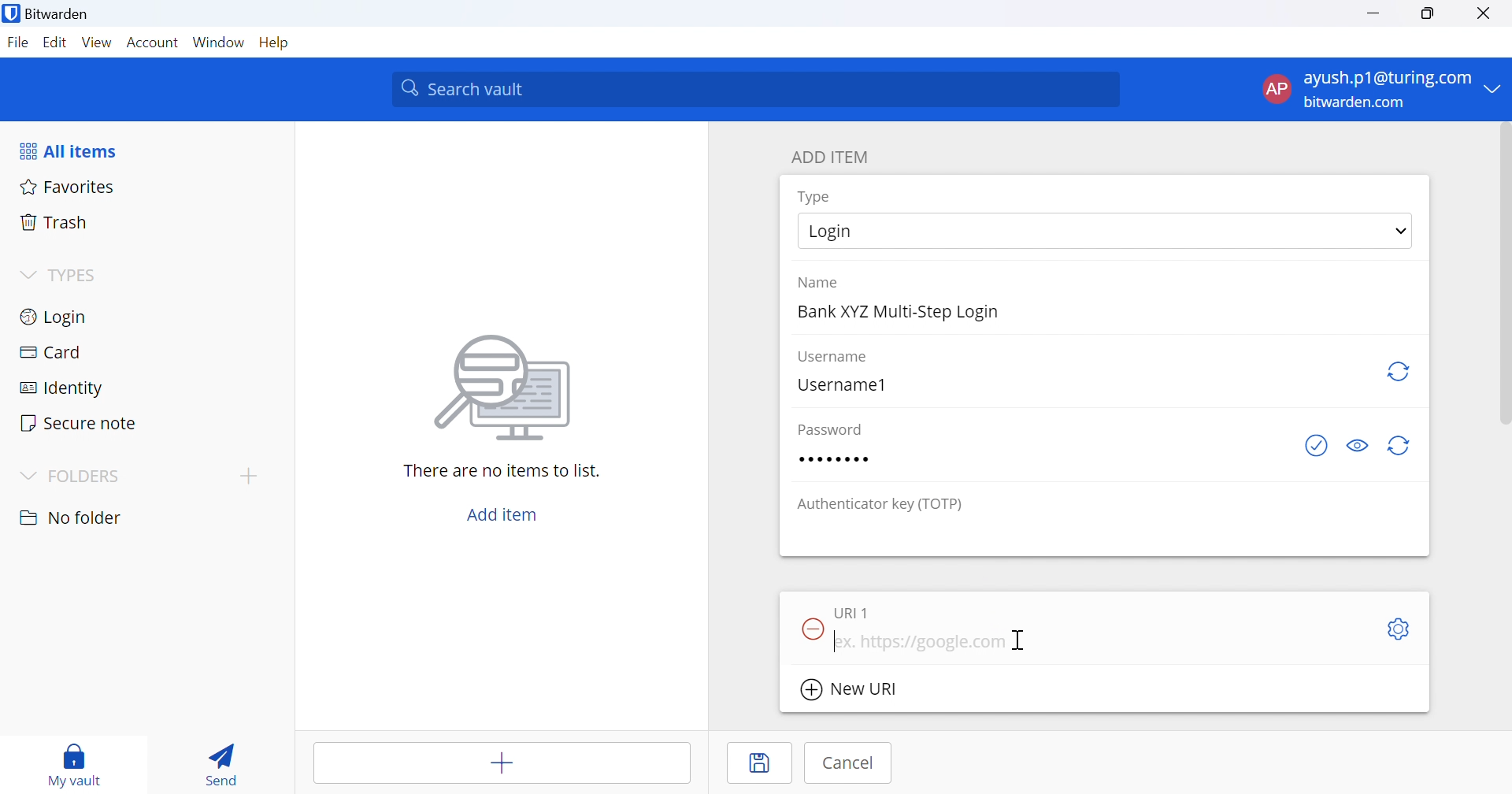 Image resolution: width=1512 pixels, height=794 pixels. I want to click on No folder, so click(72, 518).